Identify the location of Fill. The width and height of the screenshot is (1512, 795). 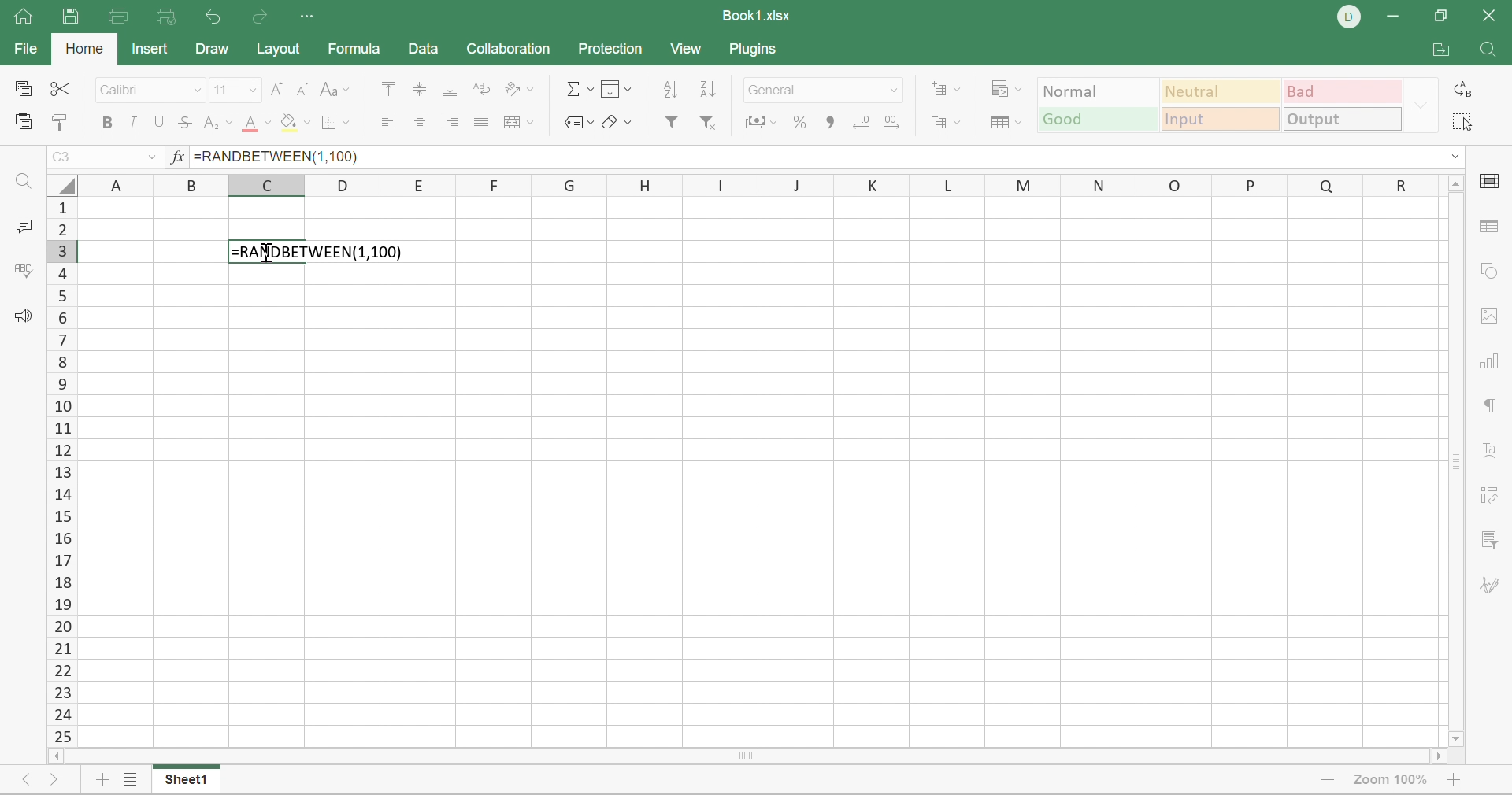
(618, 87).